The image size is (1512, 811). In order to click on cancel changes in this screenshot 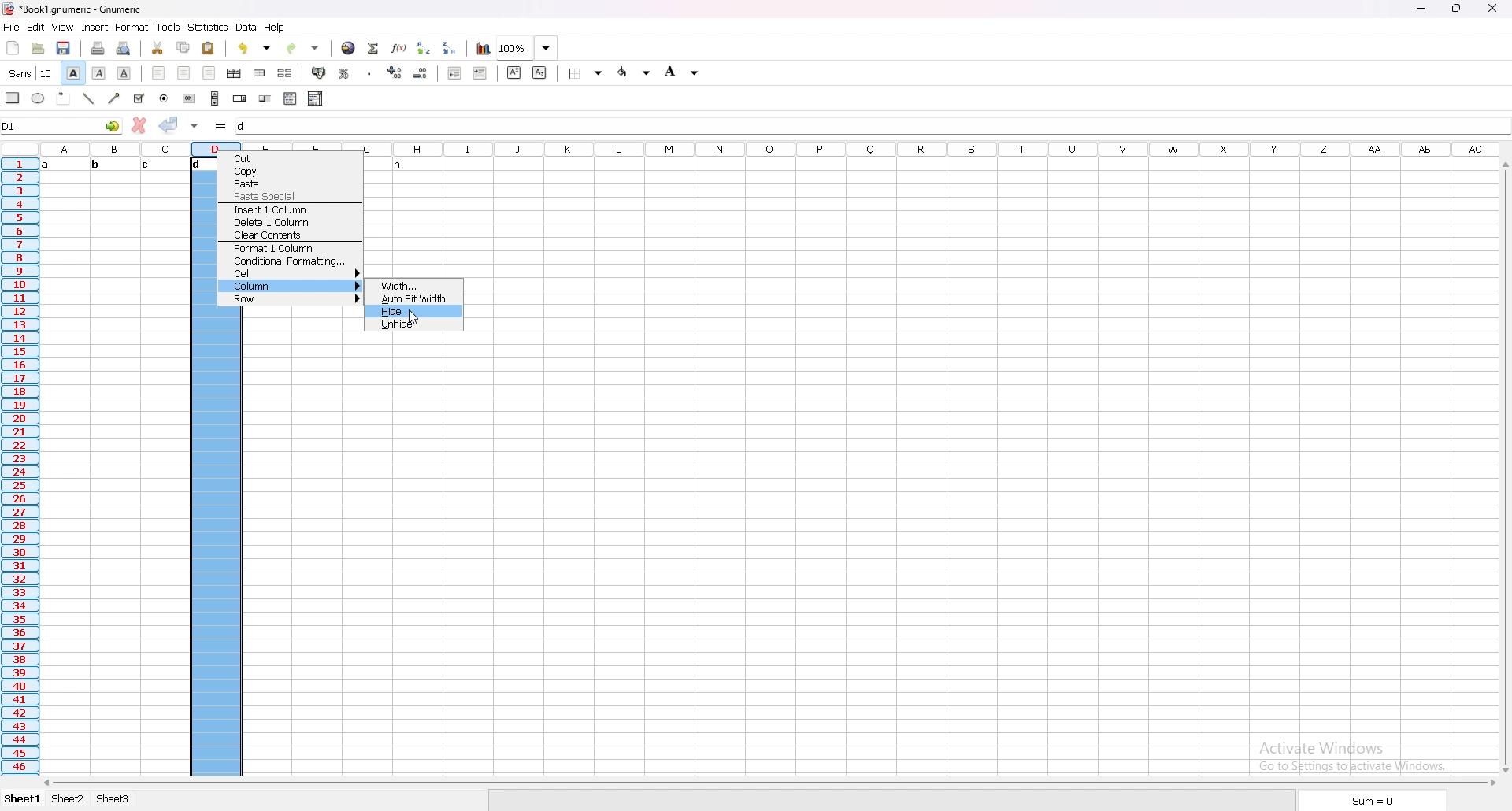, I will do `click(139, 124)`.